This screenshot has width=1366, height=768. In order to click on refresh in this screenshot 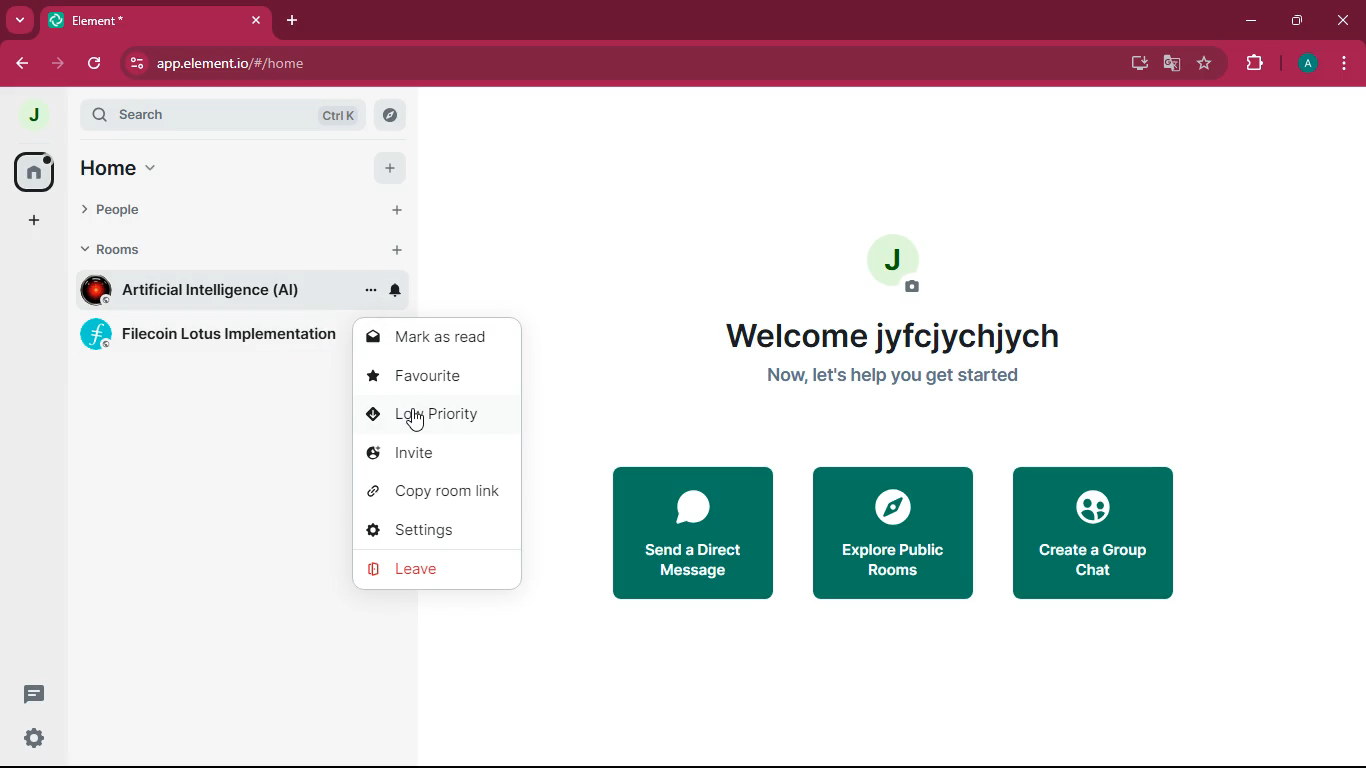, I will do `click(98, 63)`.